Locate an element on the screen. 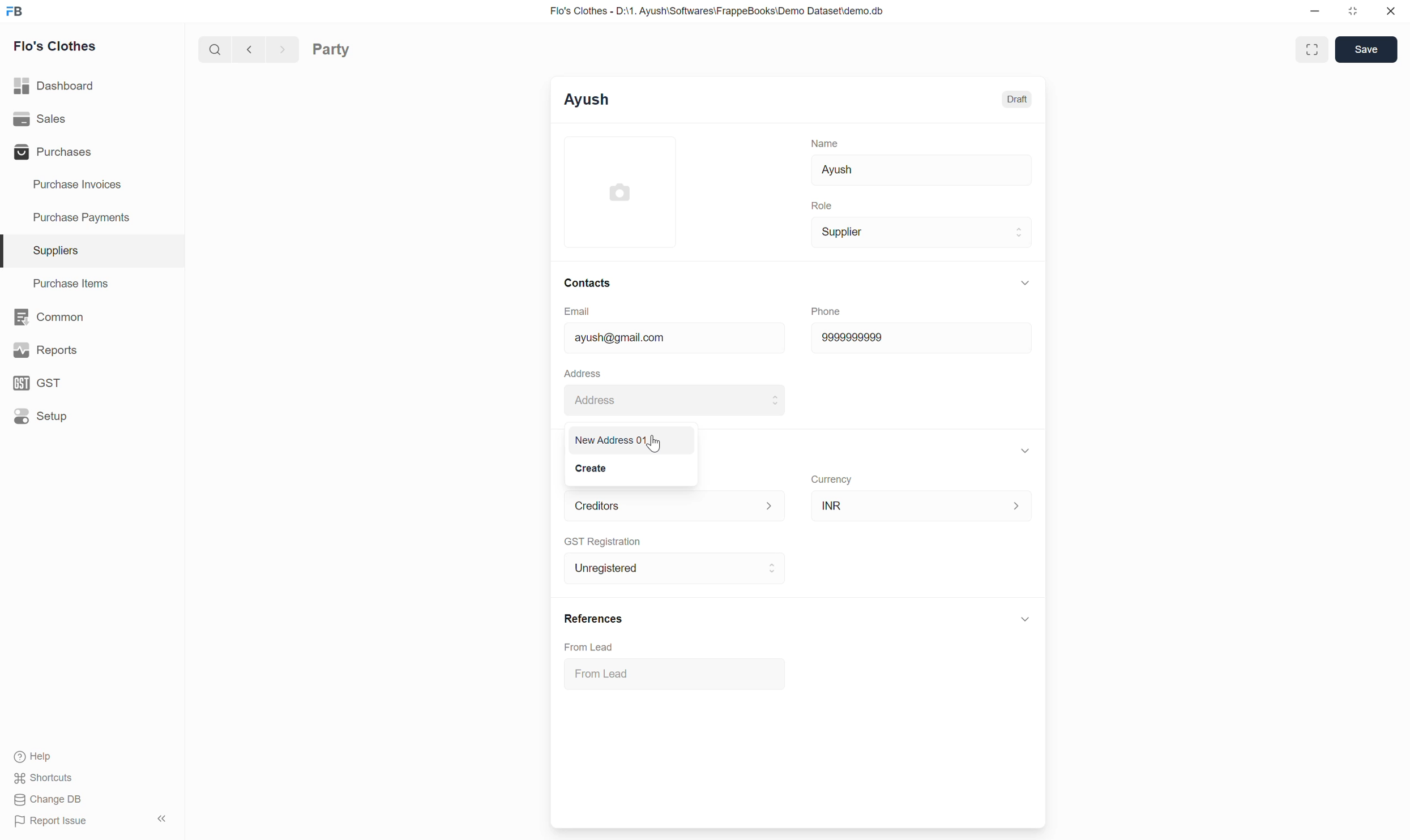 This screenshot has height=840, width=1410. Address is located at coordinates (583, 373).